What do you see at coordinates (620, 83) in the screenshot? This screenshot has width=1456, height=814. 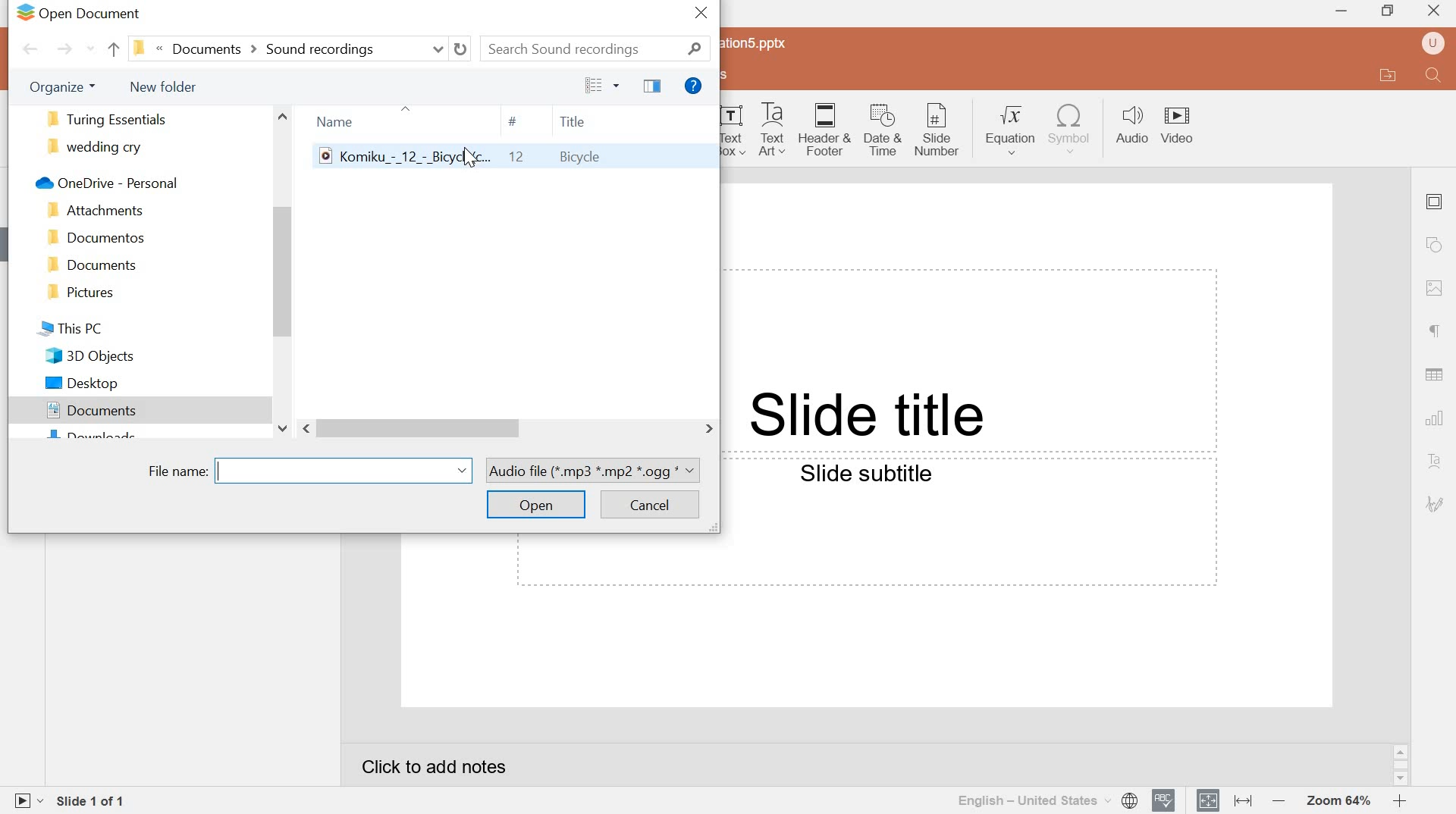 I see `more options` at bounding box center [620, 83].